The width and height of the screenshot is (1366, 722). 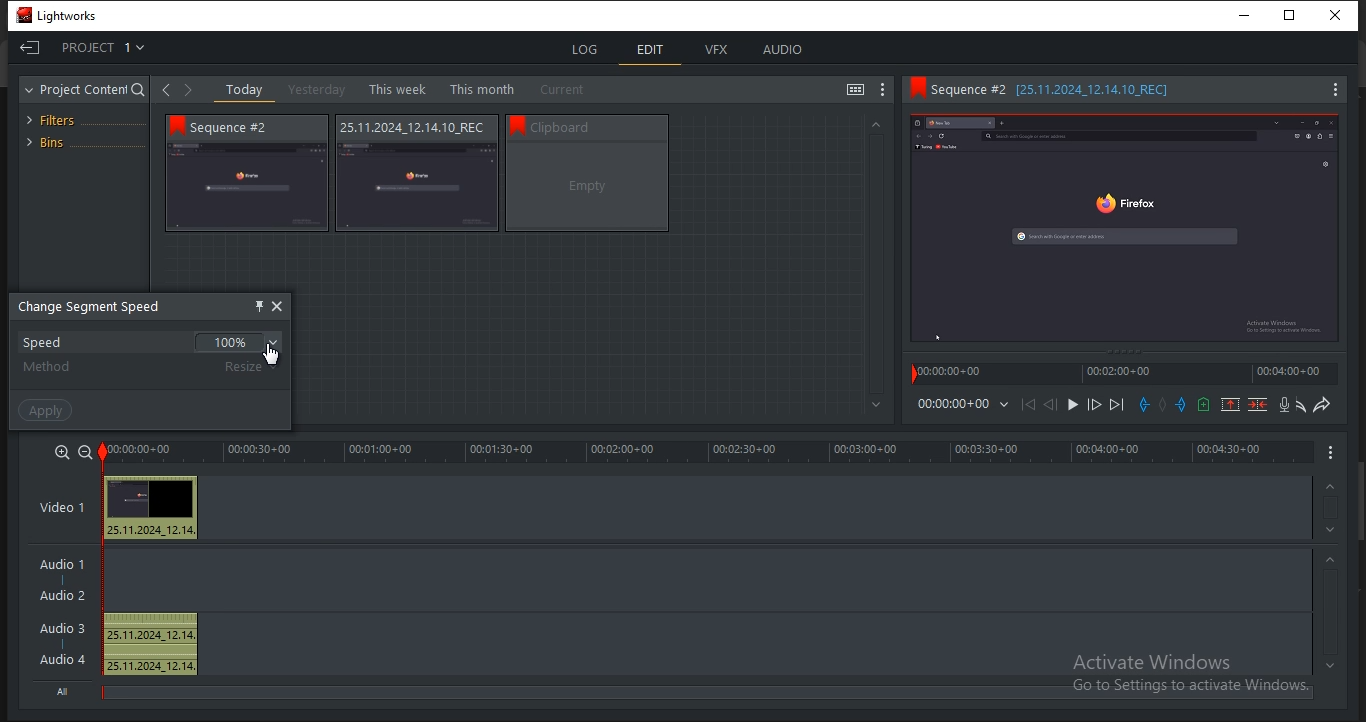 What do you see at coordinates (1119, 405) in the screenshot?
I see `move forward` at bounding box center [1119, 405].